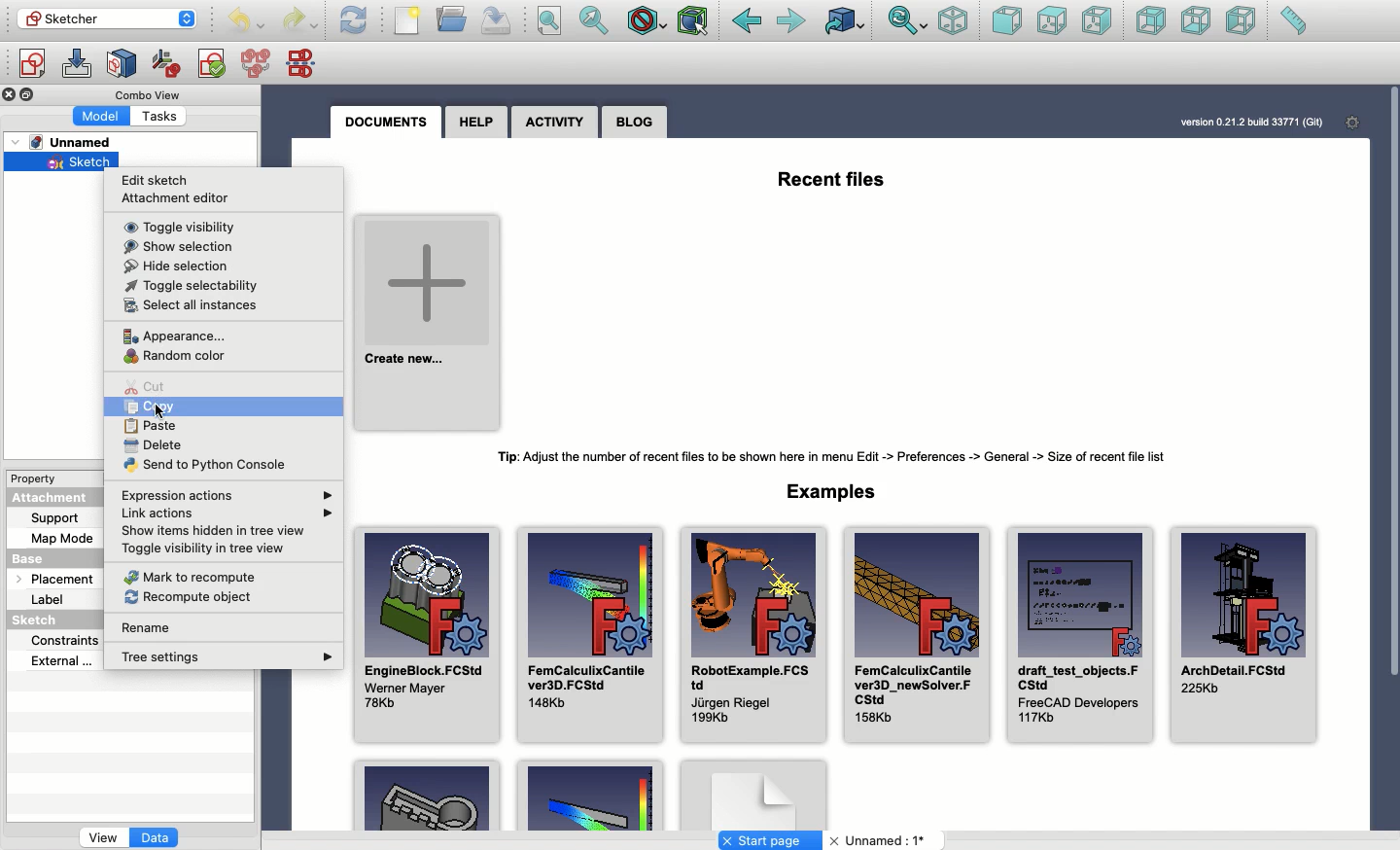 The width and height of the screenshot is (1400, 850). I want to click on Show items hidden in tree view, so click(215, 531).